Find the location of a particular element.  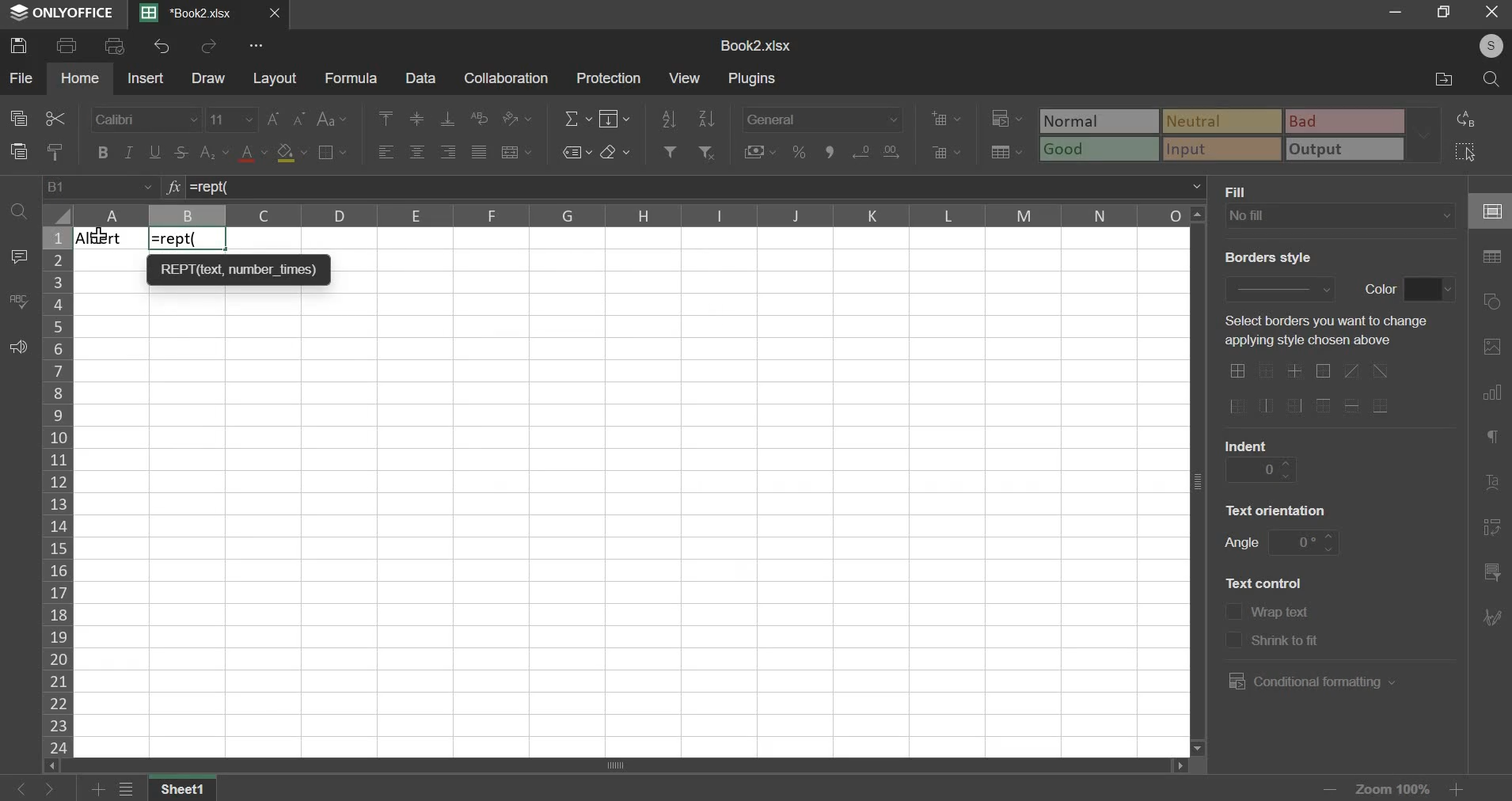

sum is located at coordinates (578, 120).